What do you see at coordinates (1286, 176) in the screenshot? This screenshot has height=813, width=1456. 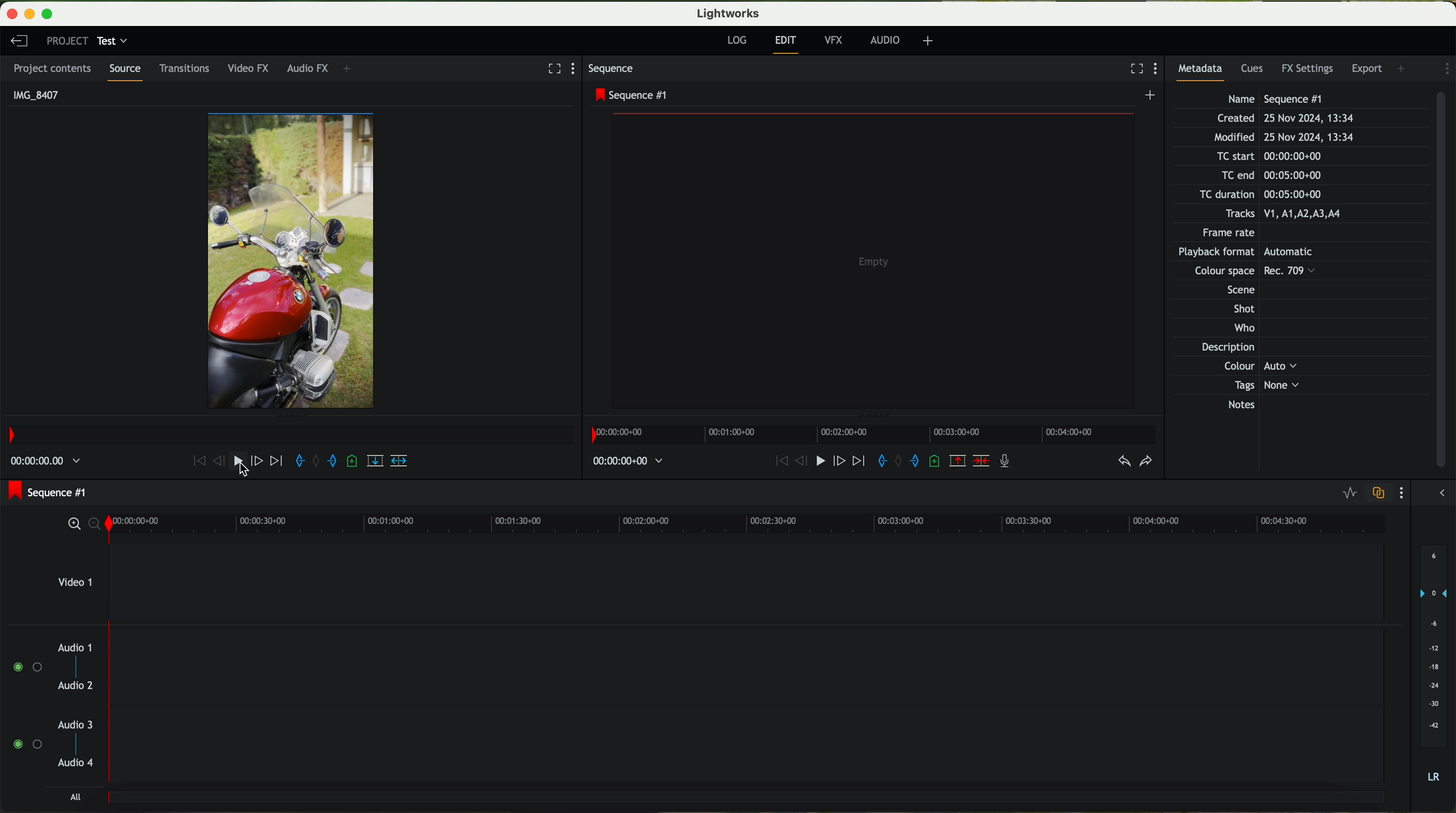 I see `TC end` at bounding box center [1286, 176].